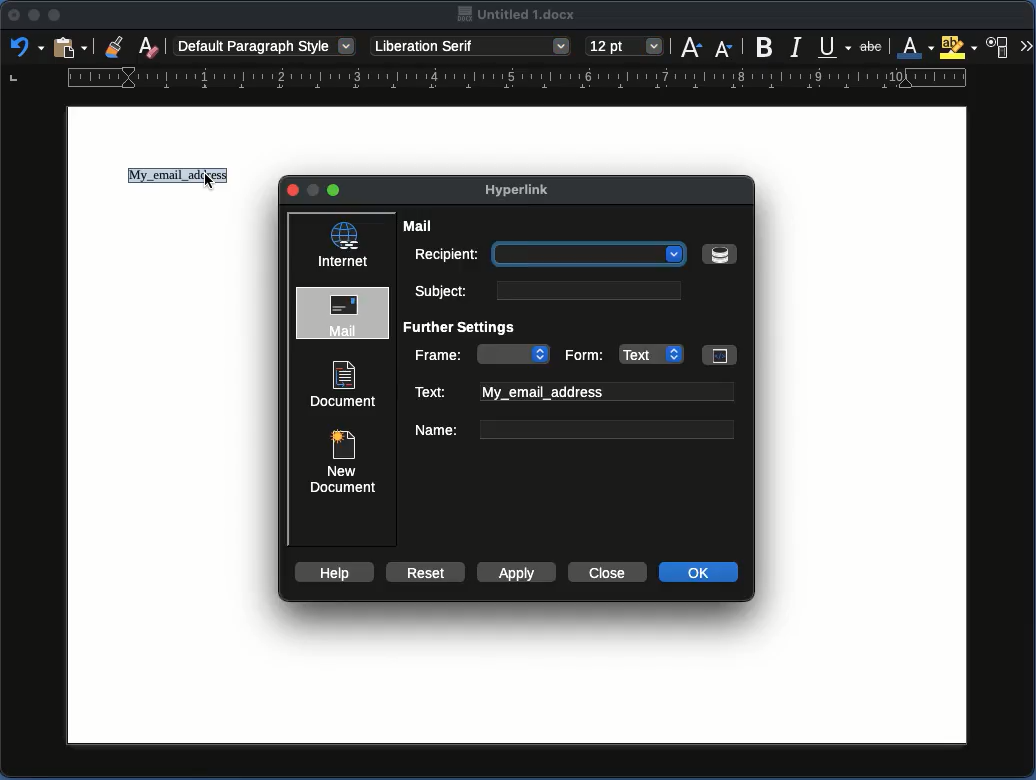  Describe the element at coordinates (25, 46) in the screenshot. I see `Redo` at that location.